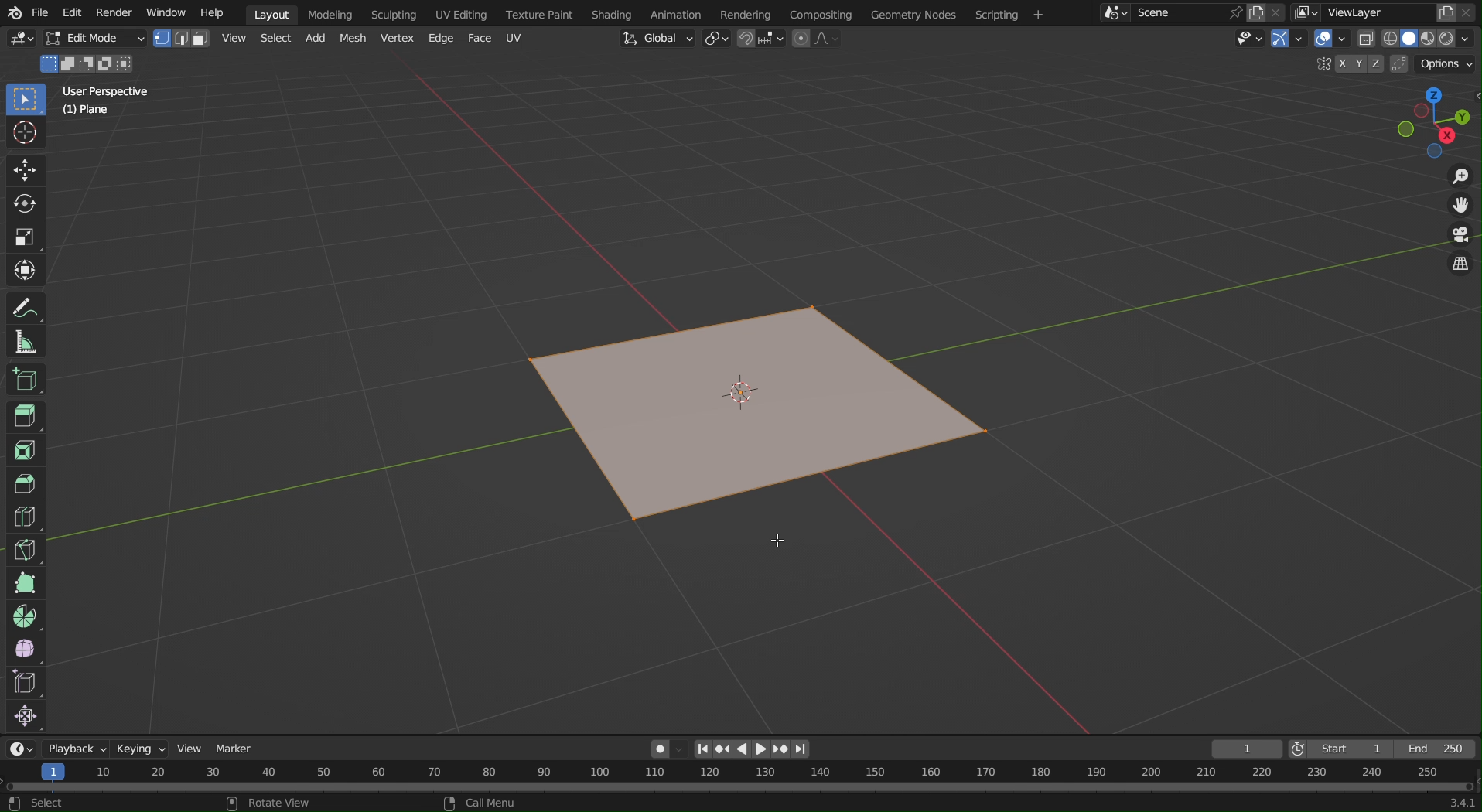 The image size is (1482, 812). I want to click on Select Box, so click(25, 101).